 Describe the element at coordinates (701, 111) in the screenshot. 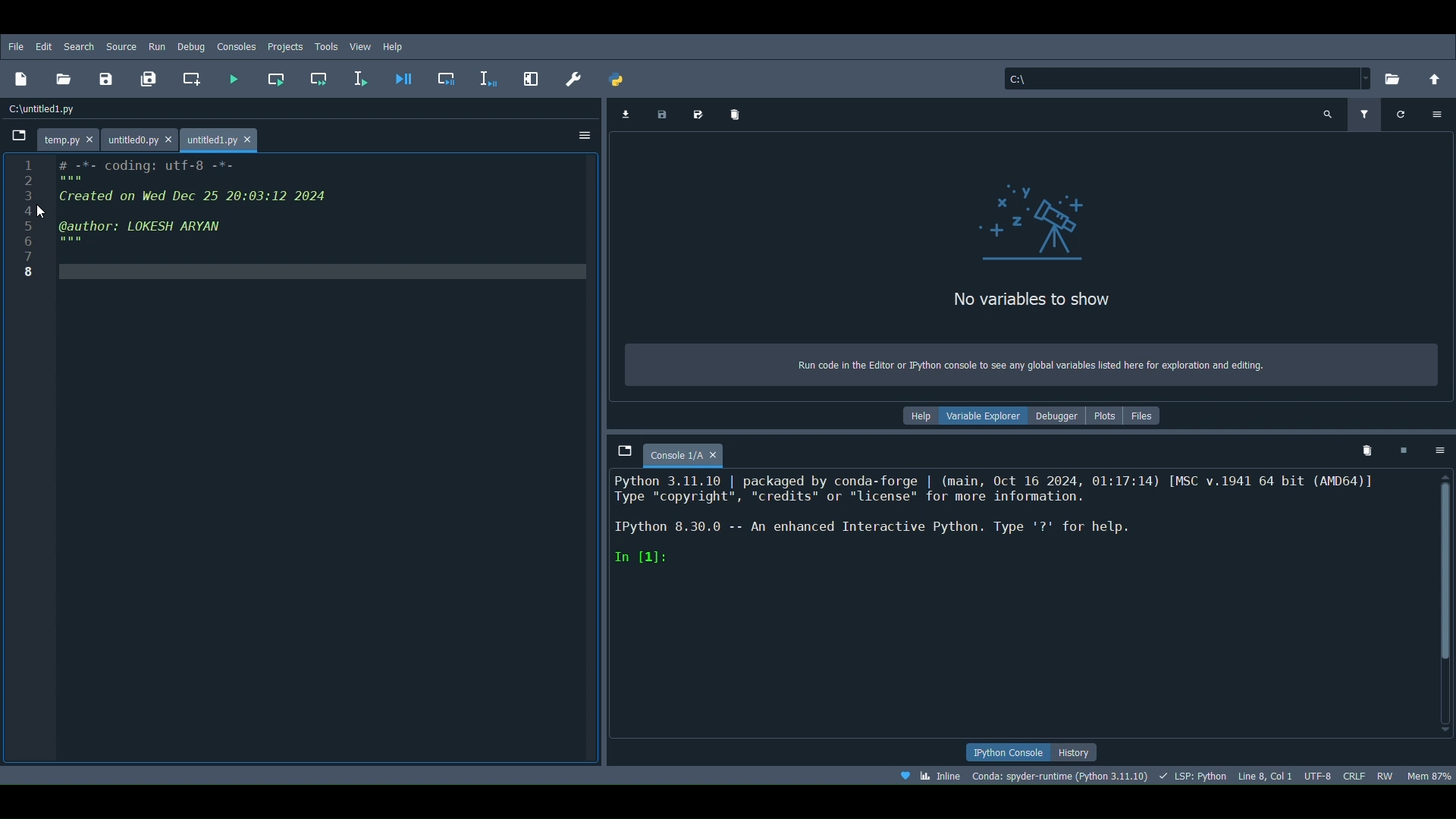

I see `Save data as` at that location.